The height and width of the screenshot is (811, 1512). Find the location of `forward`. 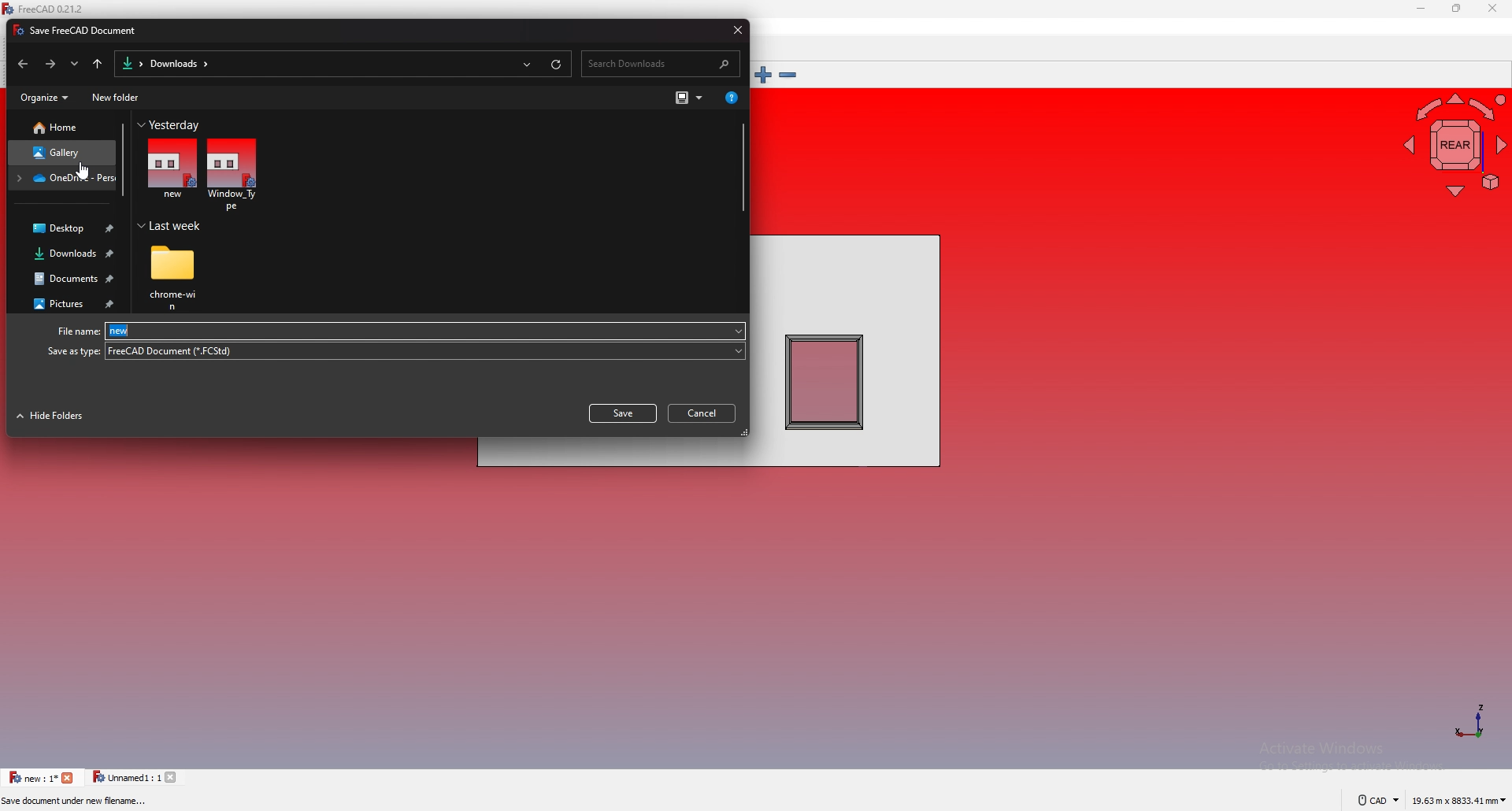

forward is located at coordinates (50, 63).